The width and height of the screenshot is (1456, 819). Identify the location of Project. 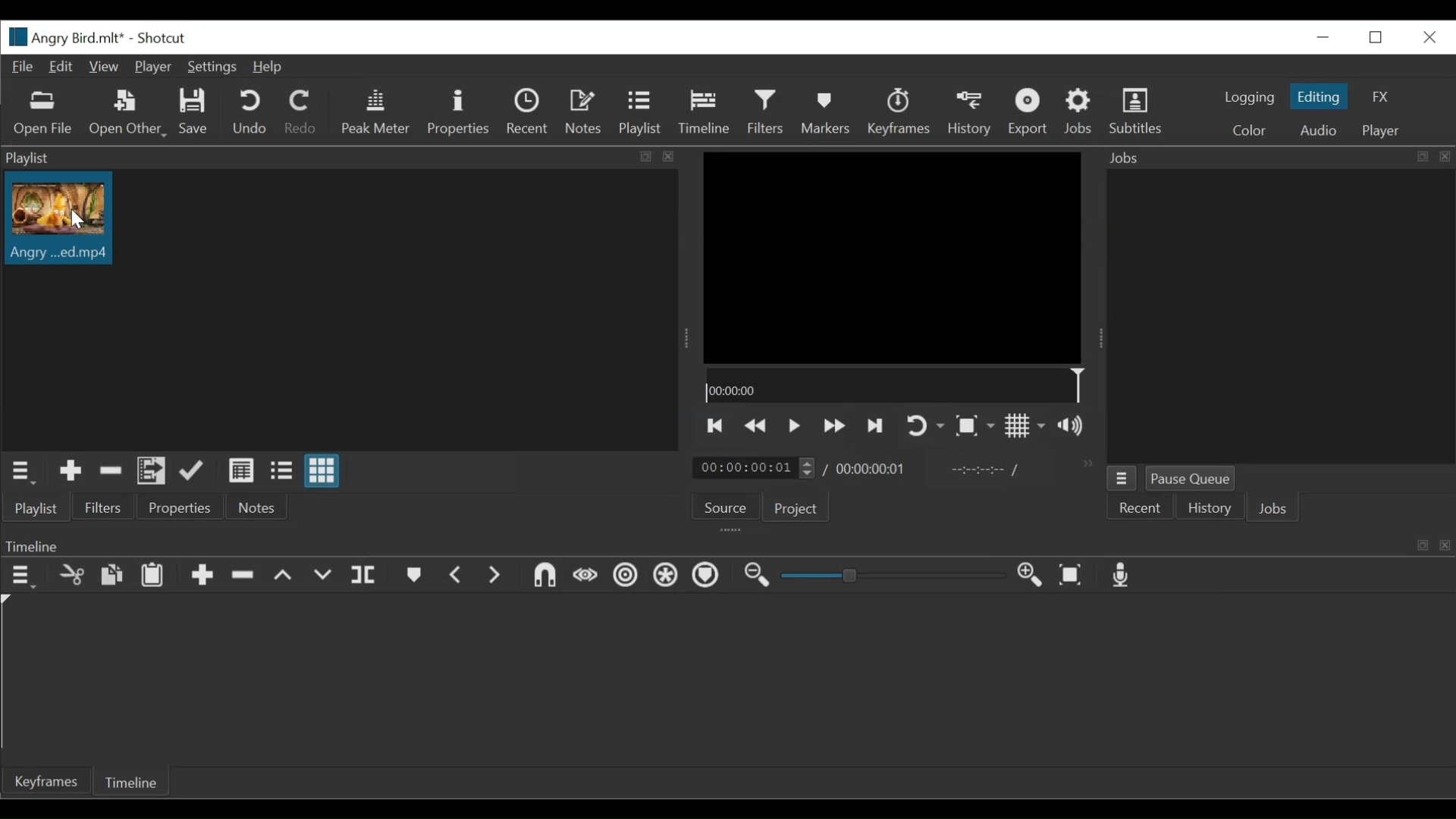
(798, 509).